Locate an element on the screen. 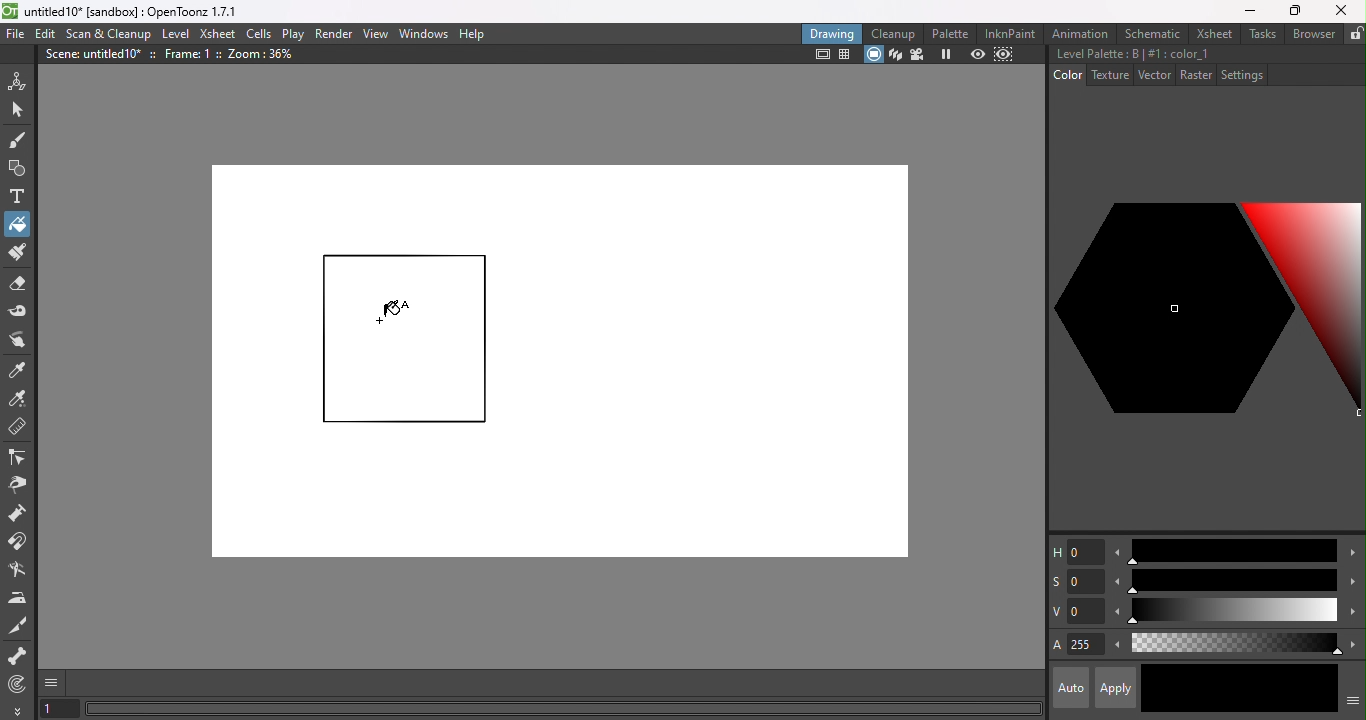 Image resolution: width=1366 pixels, height=720 pixels. File is located at coordinates (16, 35).